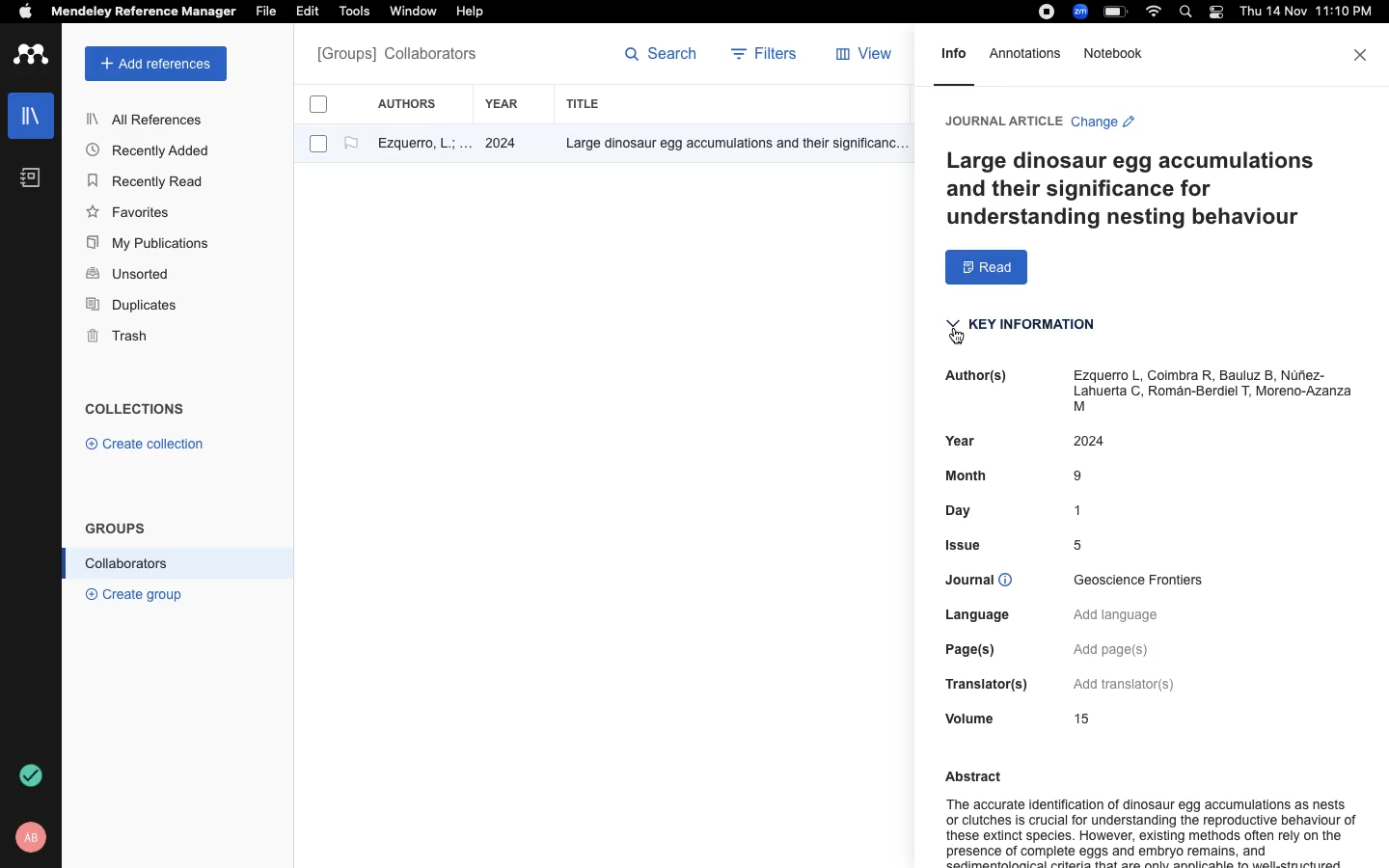 The image size is (1389, 868). Describe the element at coordinates (1189, 14) in the screenshot. I see `search` at that location.